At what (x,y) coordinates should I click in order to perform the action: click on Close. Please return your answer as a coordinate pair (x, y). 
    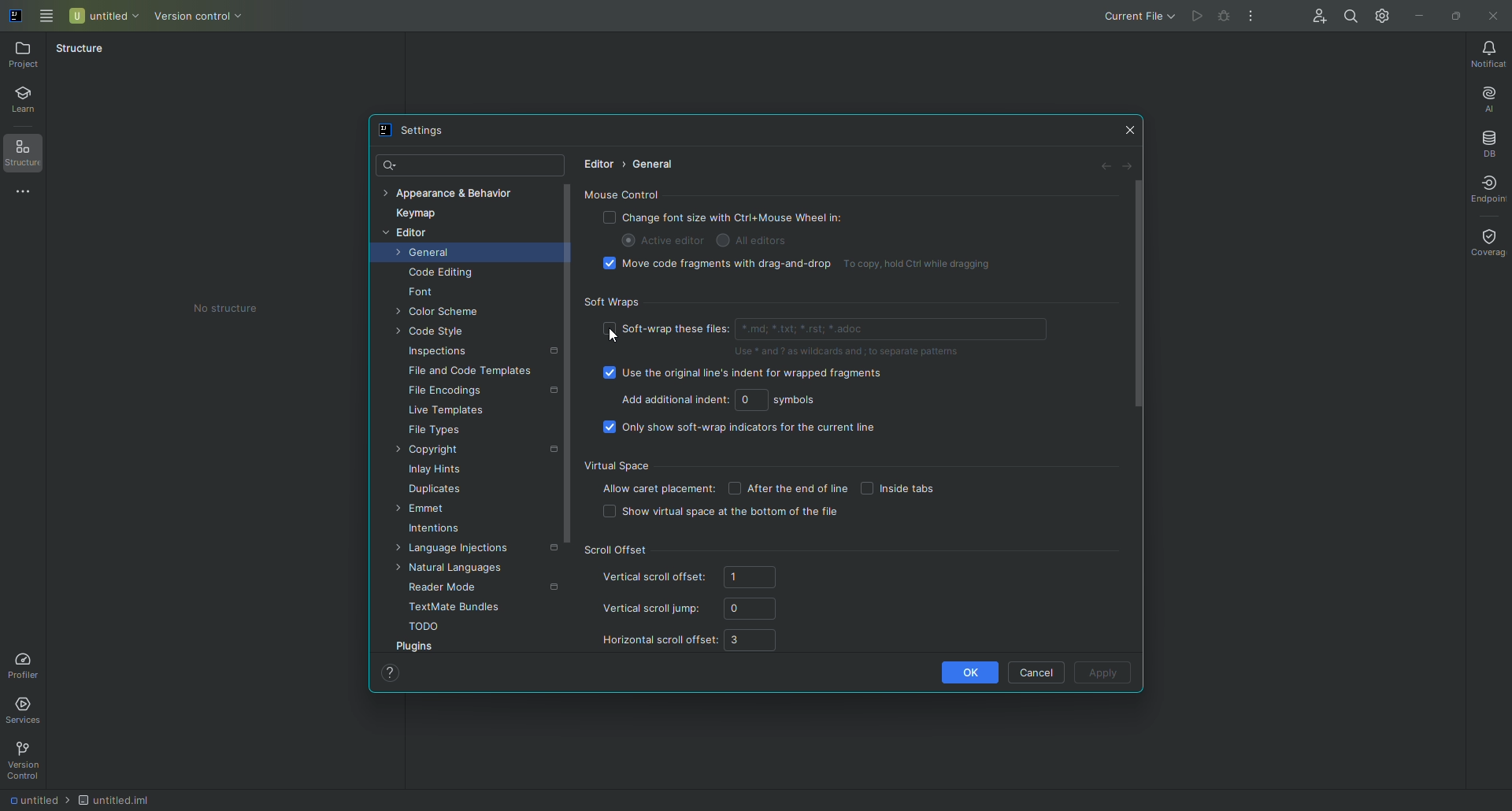
    Looking at the image, I should click on (1128, 128).